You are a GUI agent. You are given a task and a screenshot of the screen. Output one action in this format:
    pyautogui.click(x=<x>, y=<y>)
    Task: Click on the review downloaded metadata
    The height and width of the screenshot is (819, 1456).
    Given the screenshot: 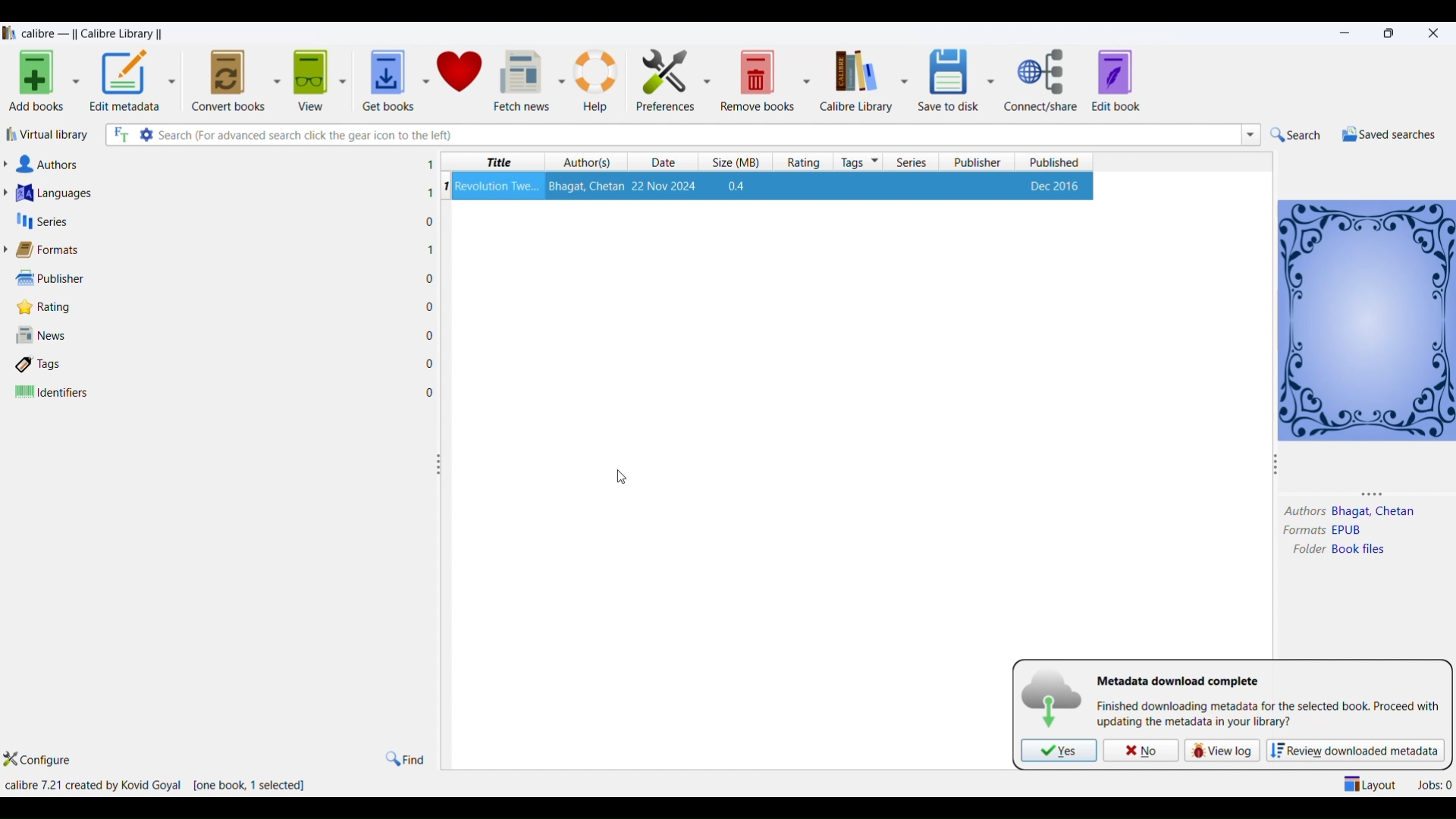 What is the action you would take?
    pyautogui.click(x=1354, y=749)
    